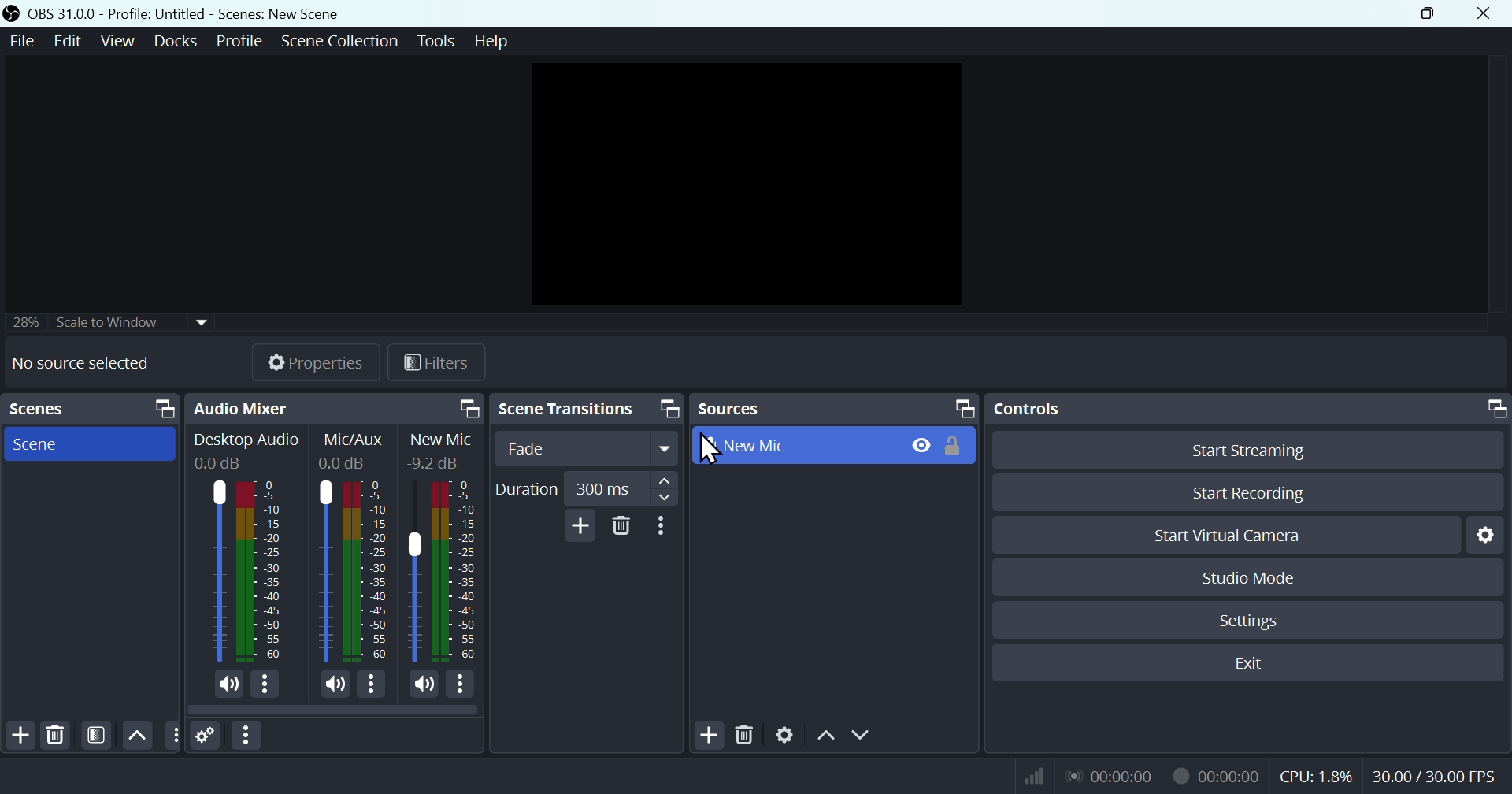  Describe the element at coordinates (584, 486) in the screenshot. I see `Duration 300 millisecond ` at that location.